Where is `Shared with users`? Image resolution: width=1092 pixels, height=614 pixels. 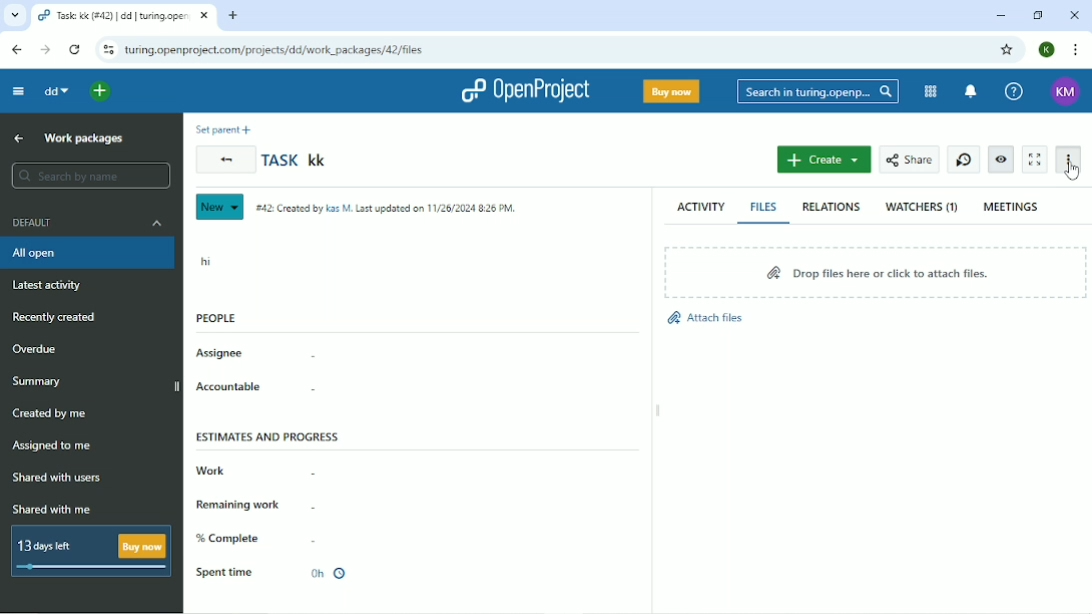 Shared with users is located at coordinates (59, 478).